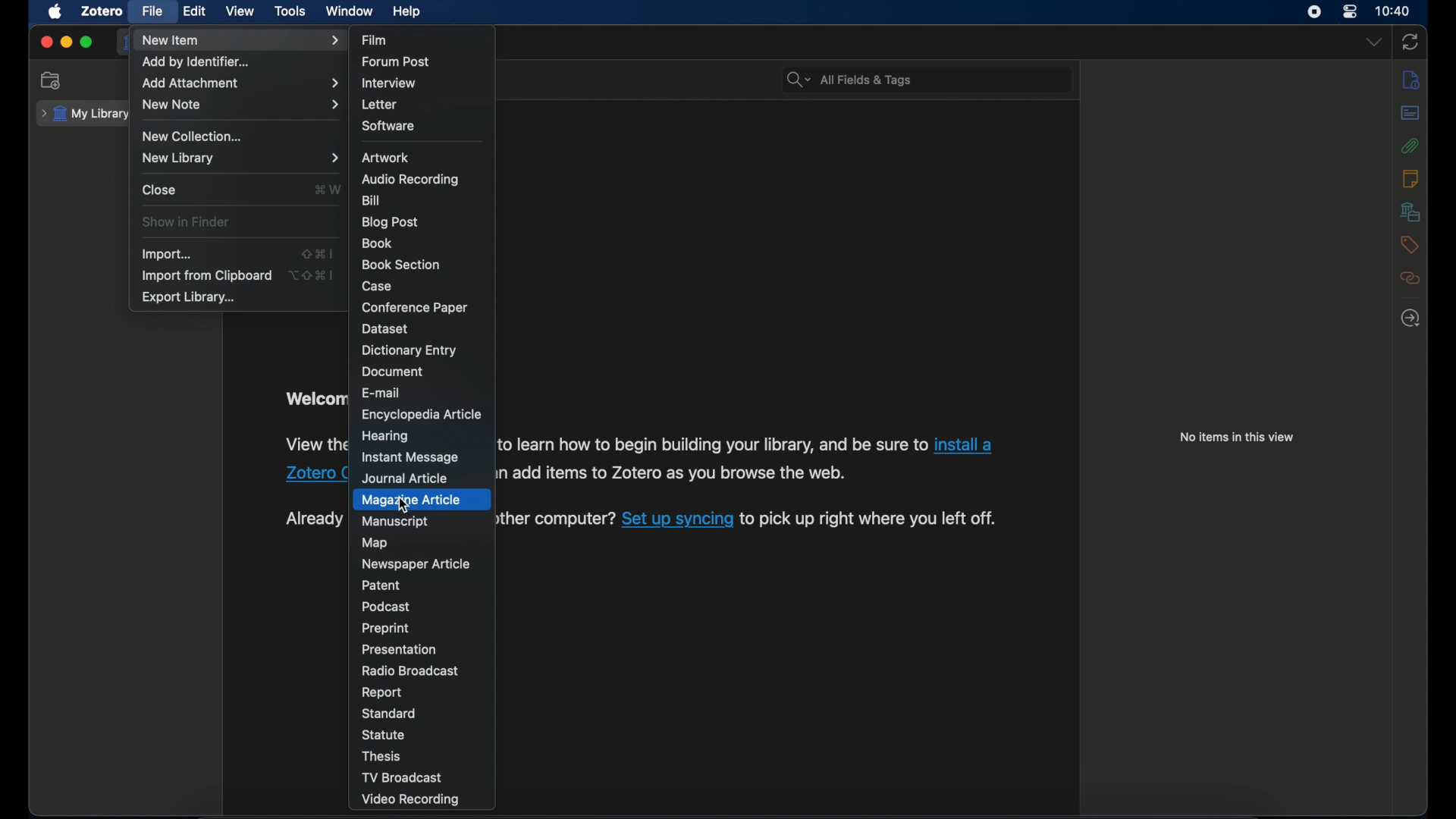 The height and width of the screenshot is (819, 1456). Describe the element at coordinates (372, 200) in the screenshot. I see `bill` at that location.